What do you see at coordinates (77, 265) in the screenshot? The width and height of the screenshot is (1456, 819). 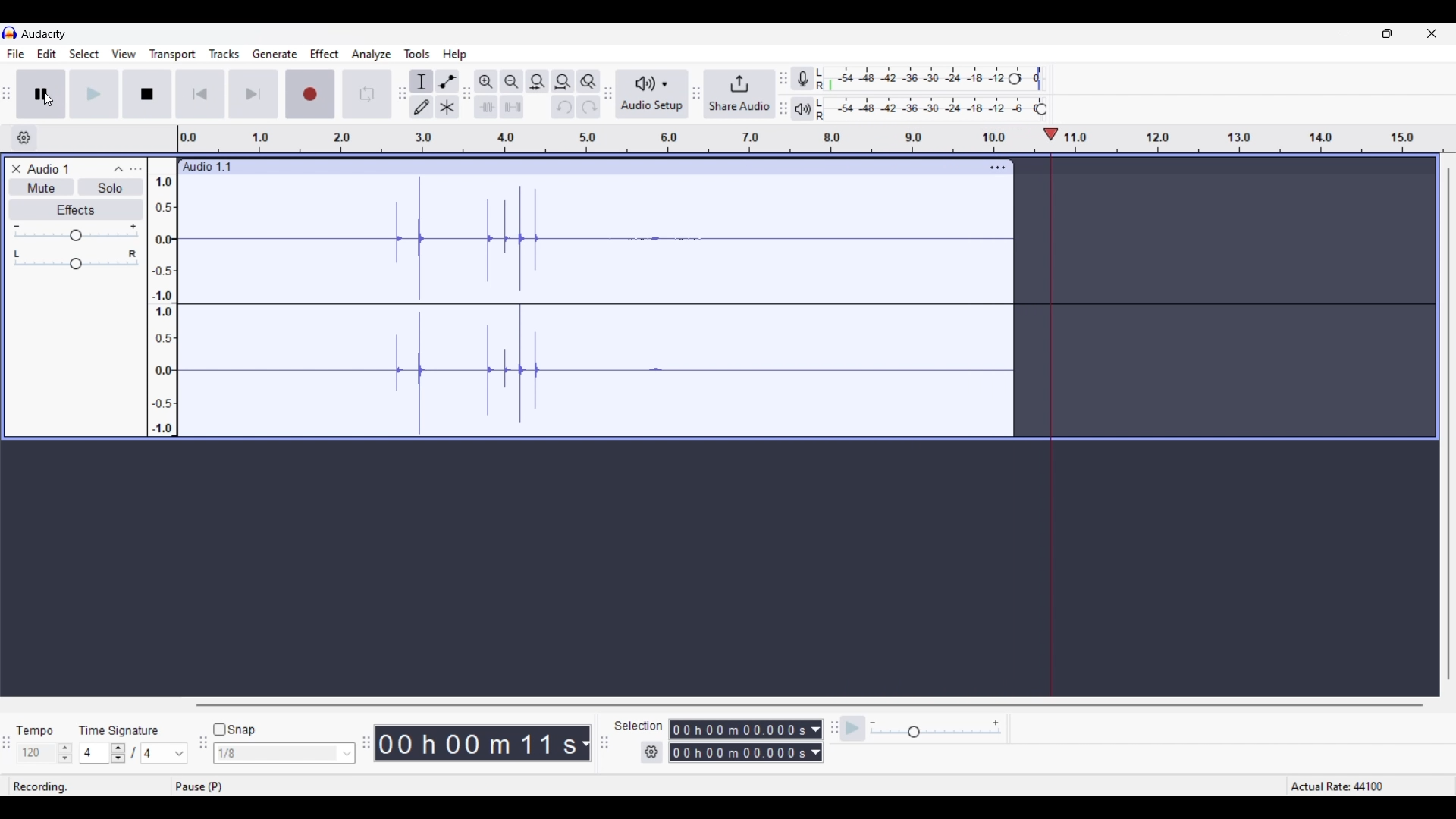 I see `Change Pan` at bounding box center [77, 265].